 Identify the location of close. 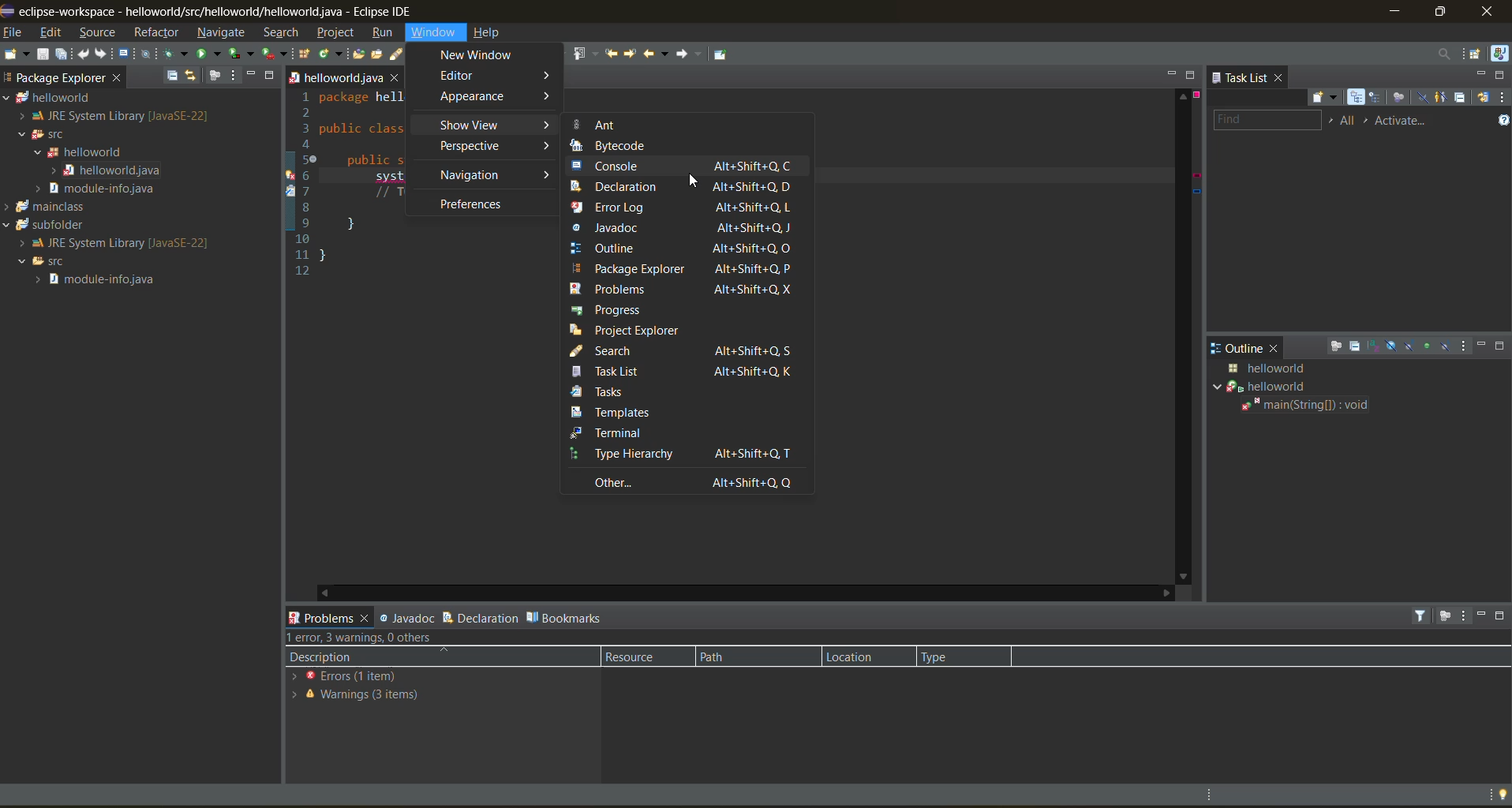
(1494, 11).